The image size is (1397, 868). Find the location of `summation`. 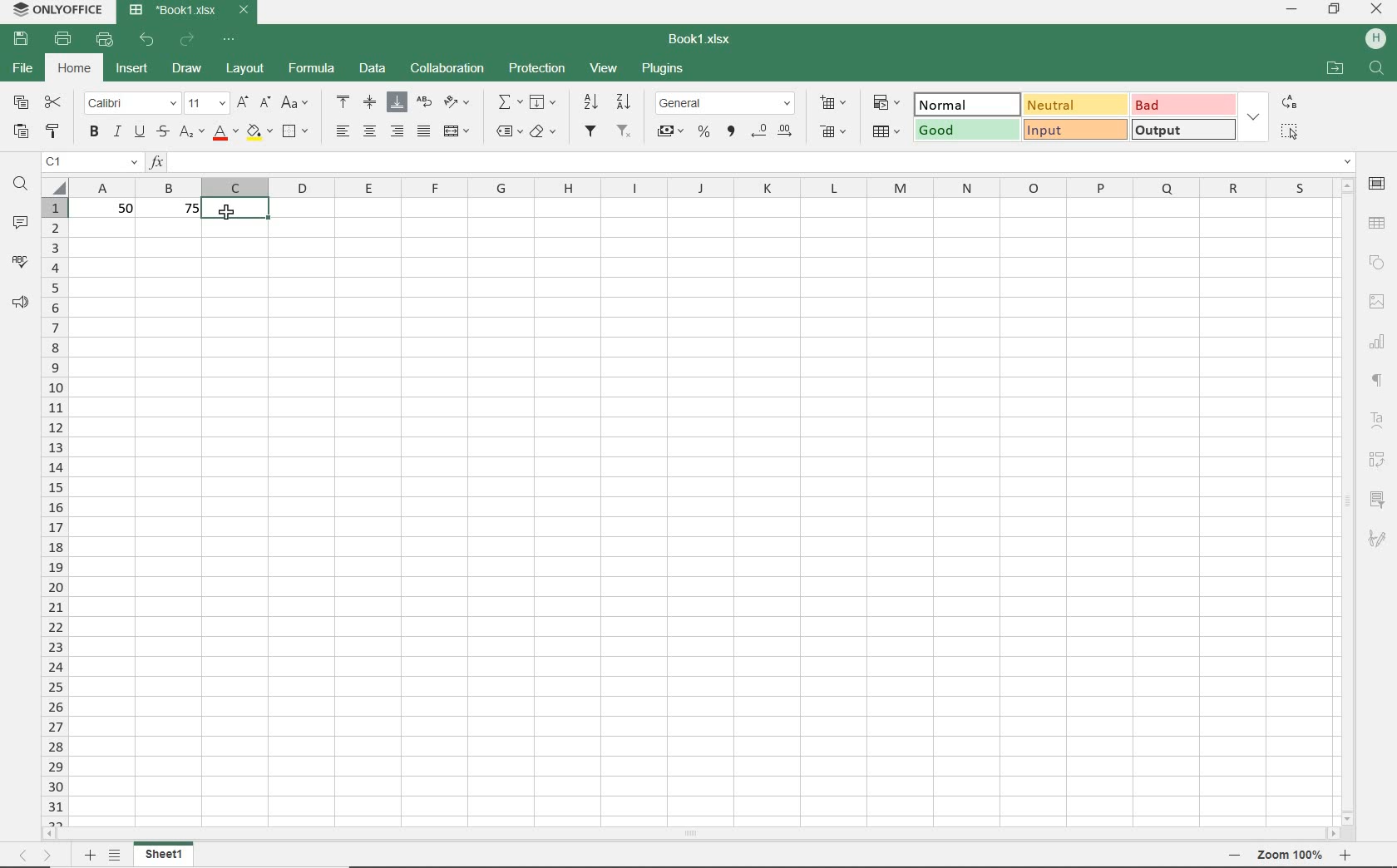

summation is located at coordinates (510, 103).